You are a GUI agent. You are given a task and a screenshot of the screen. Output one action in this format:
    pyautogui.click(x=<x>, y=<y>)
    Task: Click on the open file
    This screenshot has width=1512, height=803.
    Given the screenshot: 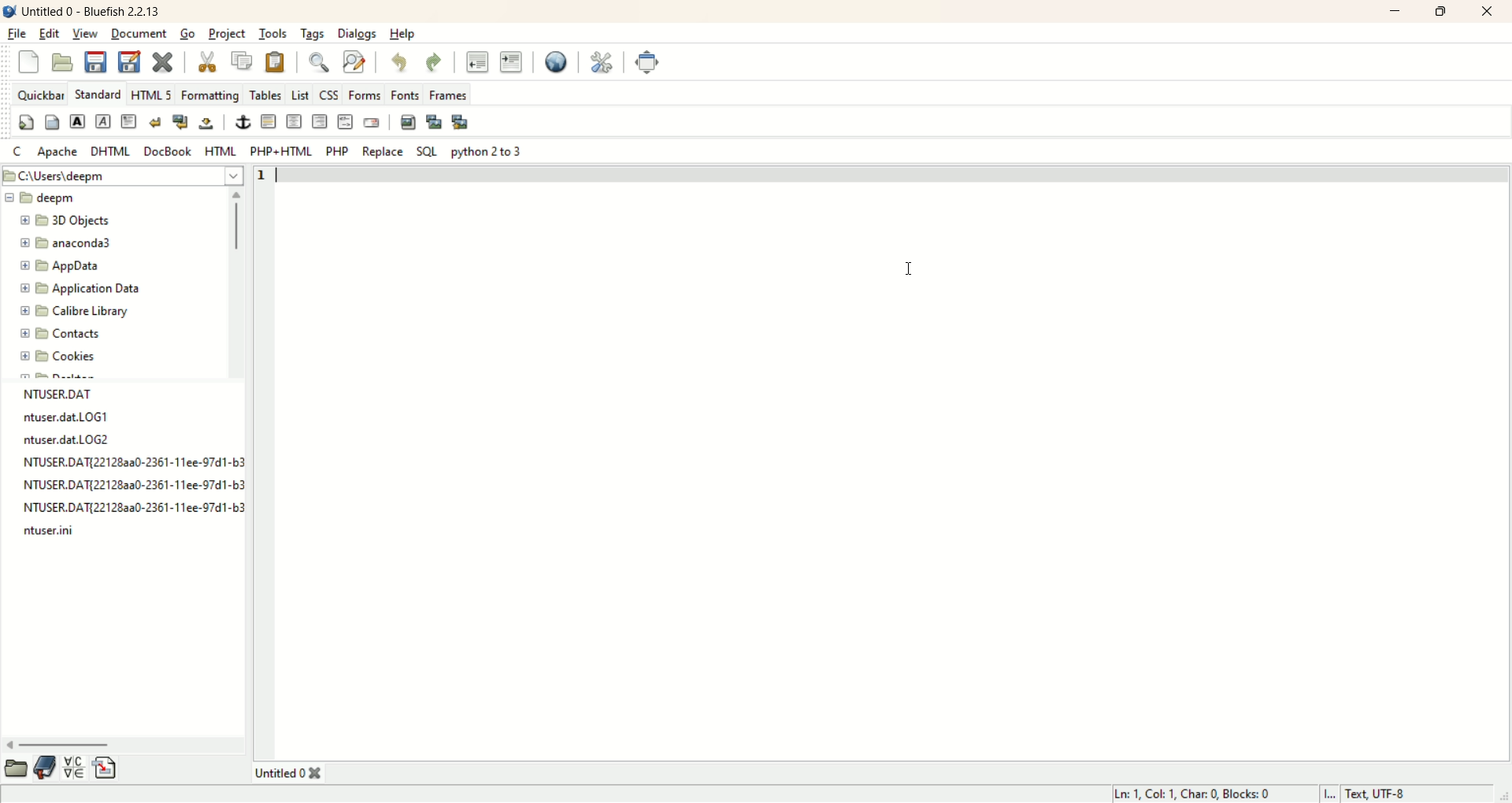 What is the action you would take?
    pyautogui.click(x=59, y=62)
    